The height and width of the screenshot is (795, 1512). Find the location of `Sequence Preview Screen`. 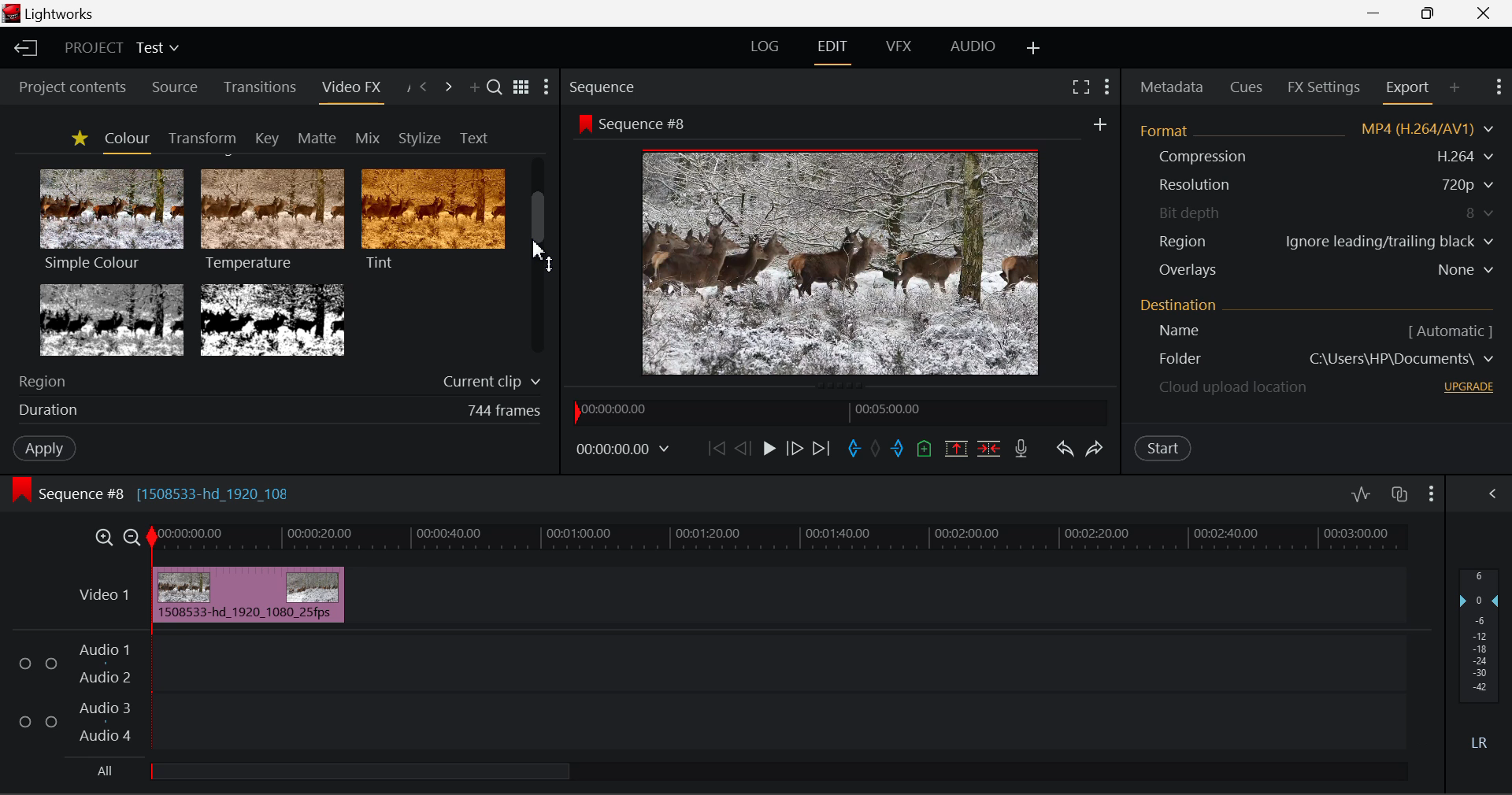

Sequence Preview Screen is located at coordinates (844, 261).